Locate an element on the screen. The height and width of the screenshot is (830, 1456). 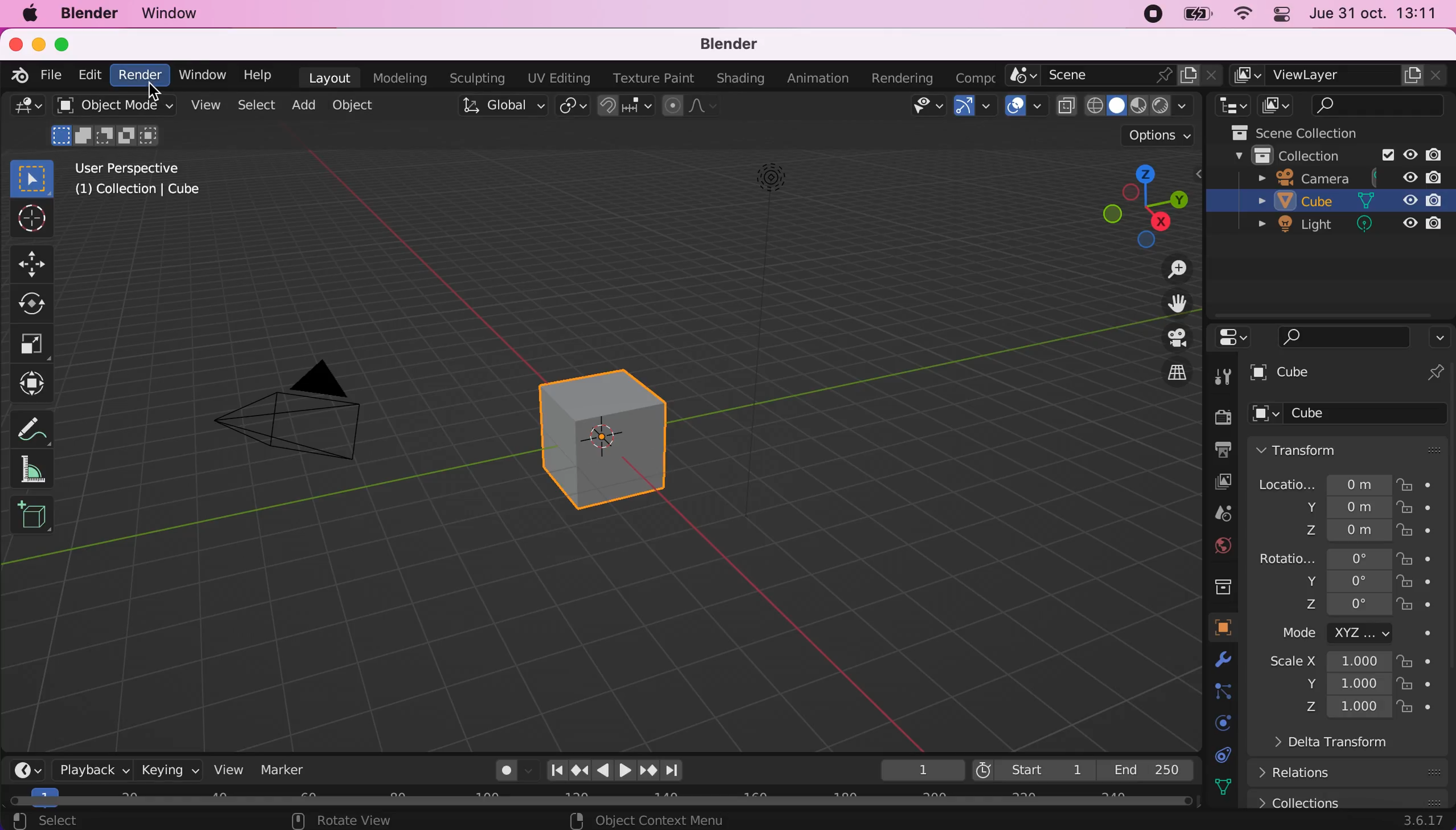
blender is located at coordinates (88, 14).